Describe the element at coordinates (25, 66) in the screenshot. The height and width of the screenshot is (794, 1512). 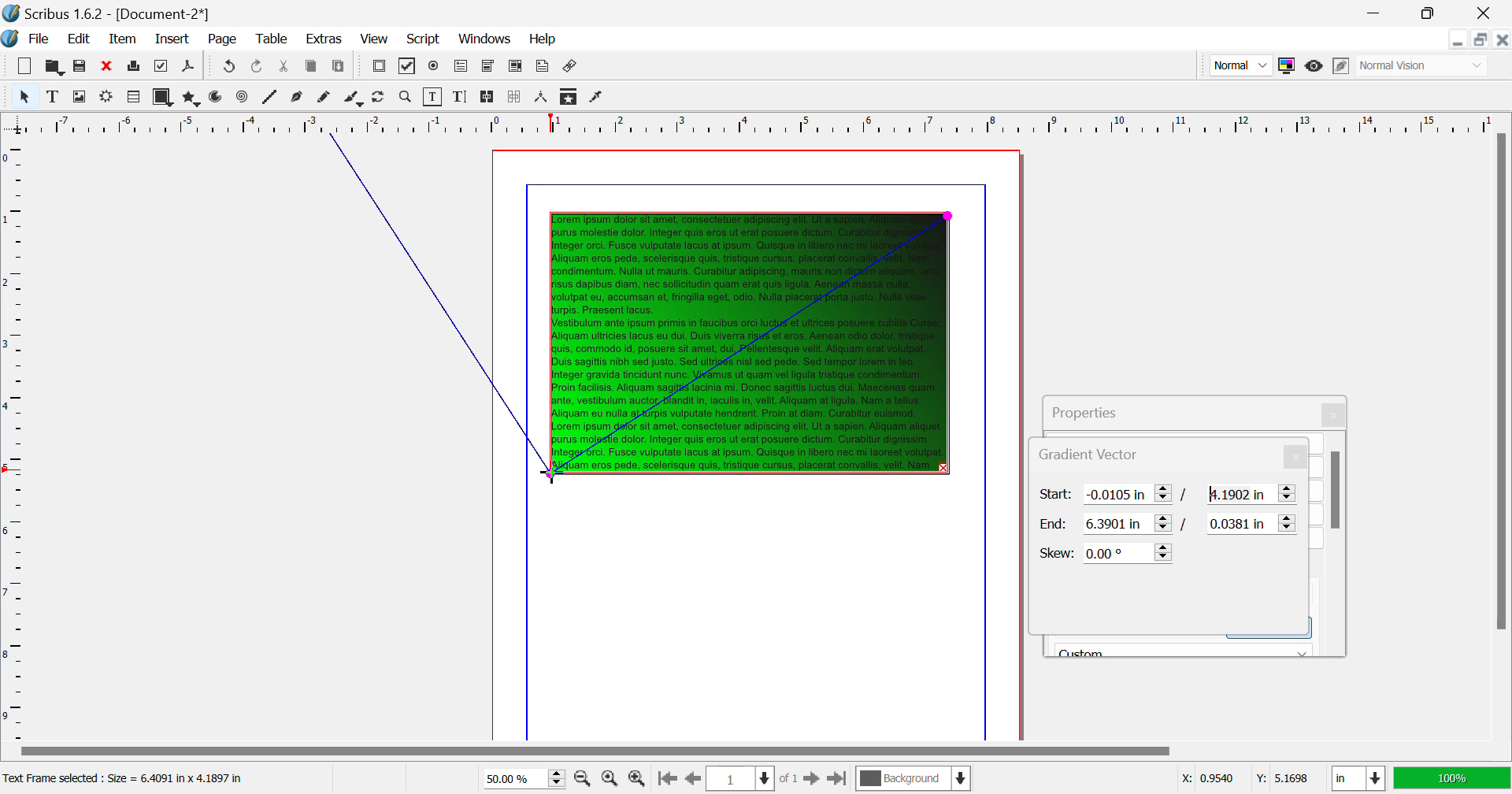
I see `New` at that location.